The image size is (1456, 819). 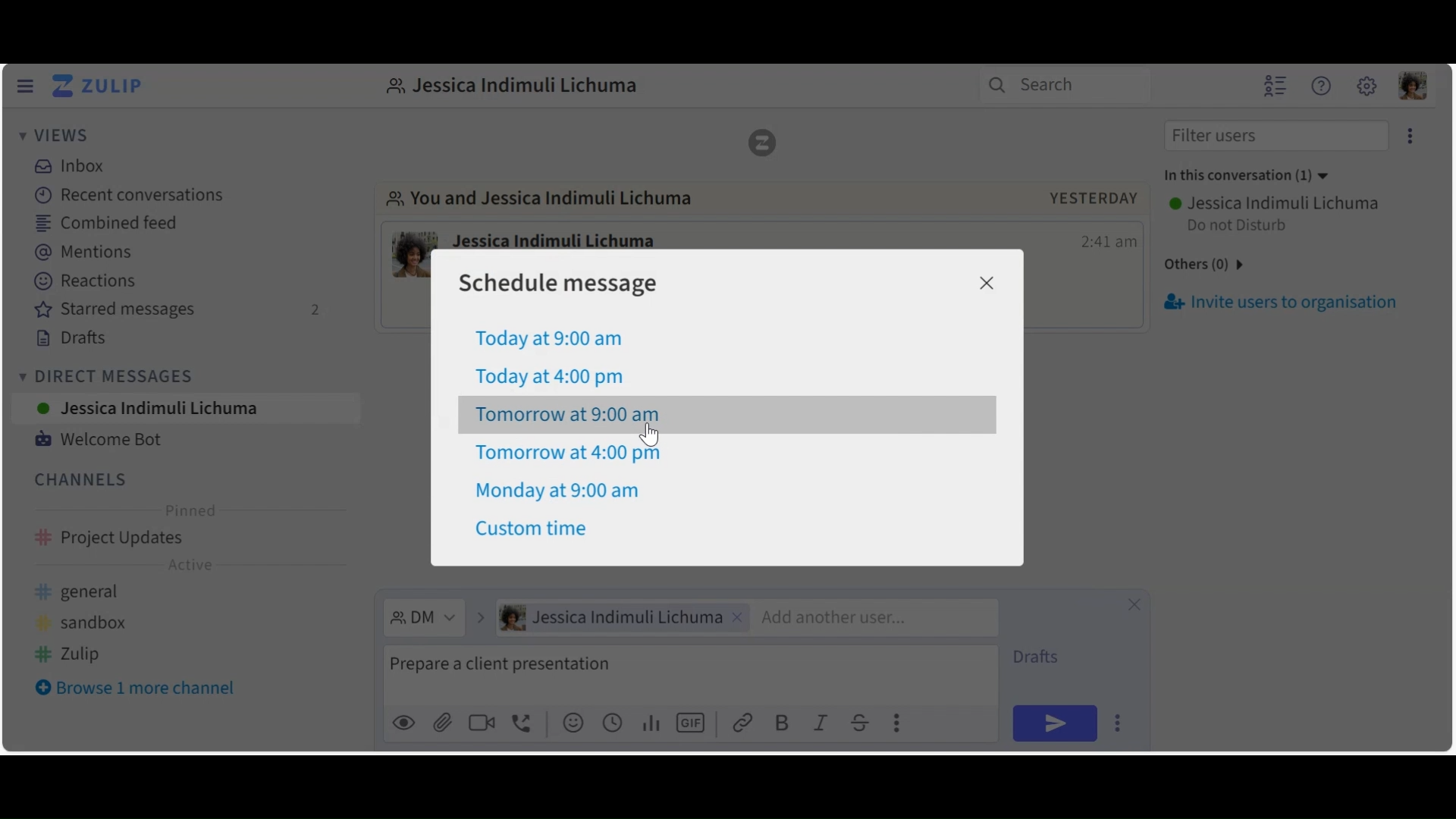 What do you see at coordinates (611, 723) in the screenshot?
I see `Add global time` at bounding box center [611, 723].